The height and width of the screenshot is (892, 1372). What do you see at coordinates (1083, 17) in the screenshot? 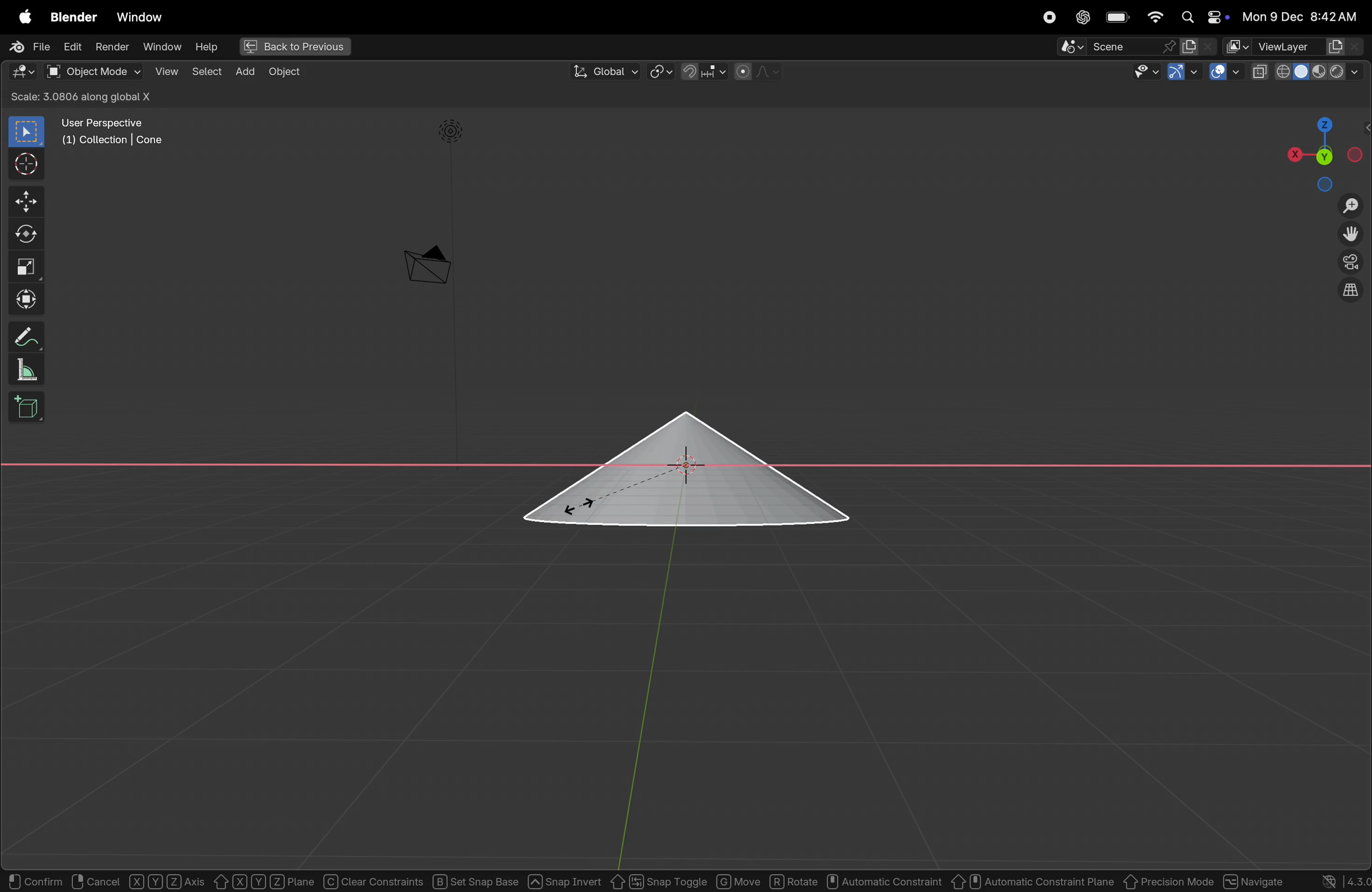
I see `chatgpt` at bounding box center [1083, 17].